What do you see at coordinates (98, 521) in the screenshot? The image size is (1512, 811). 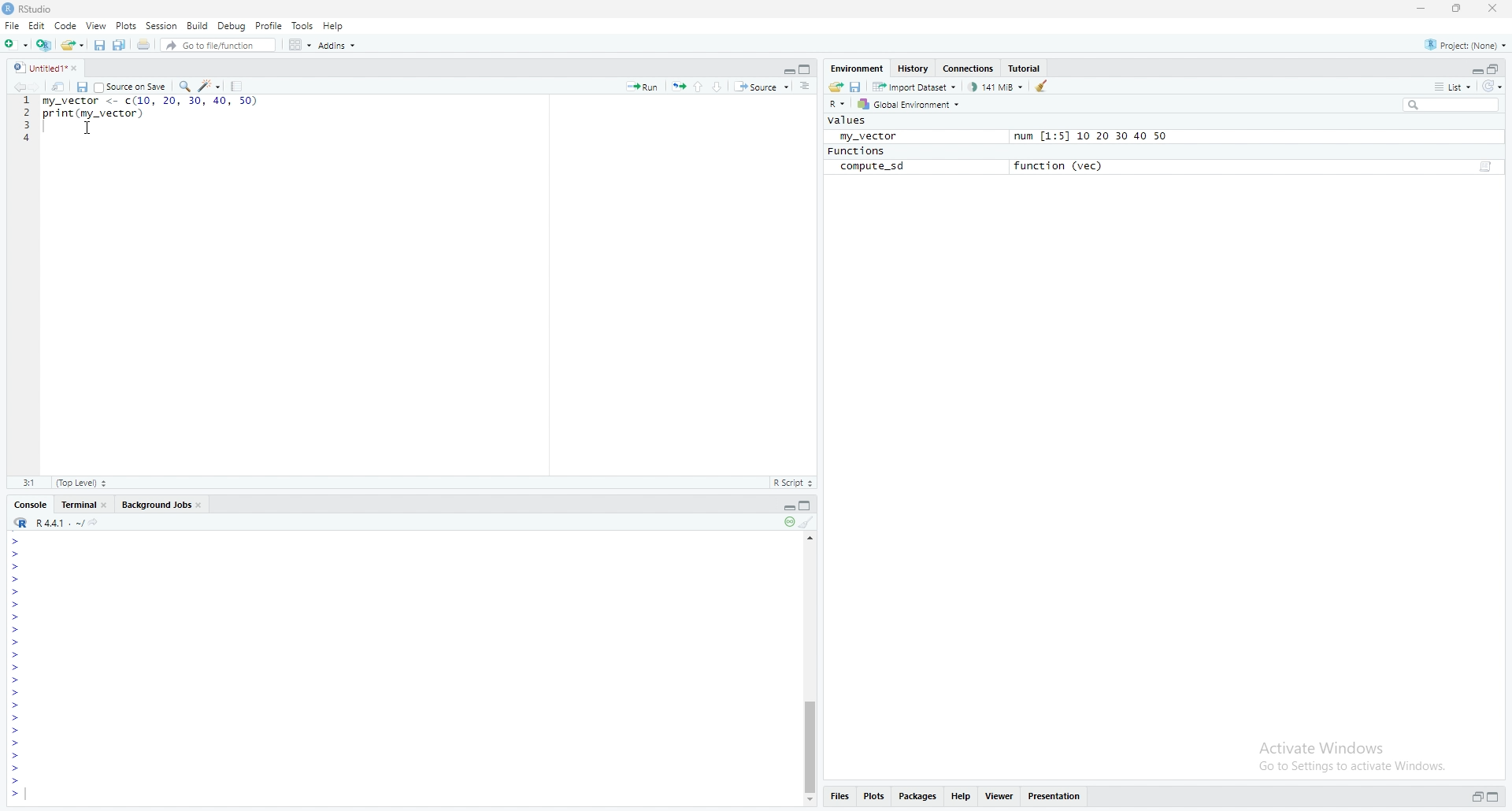 I see `View the current working directory` at bounding box center [98, 521].